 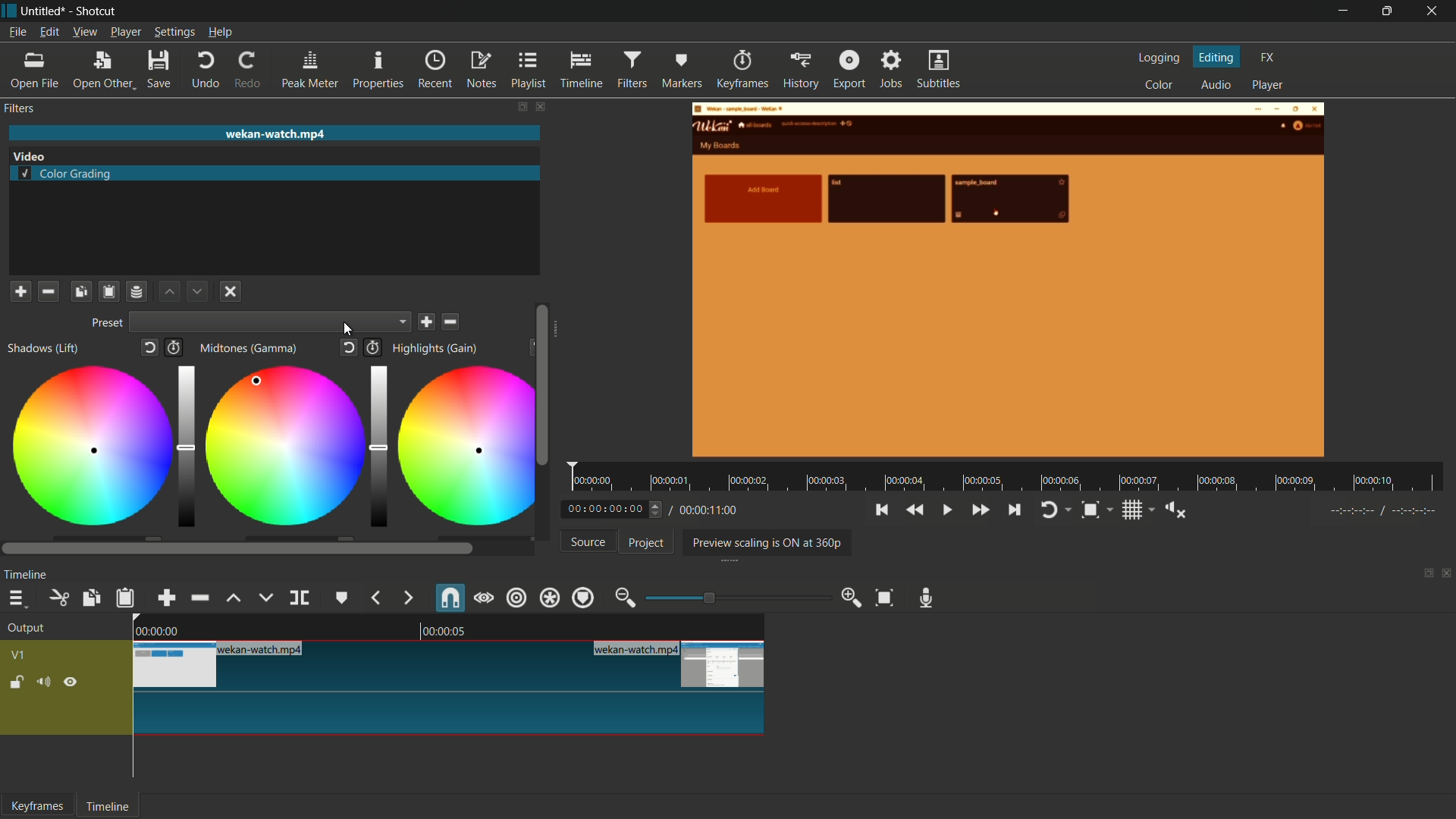 What do you see at coordinates (624, 597) in the screenshot?
I see `zoom out` at bounding box center [624, 597].